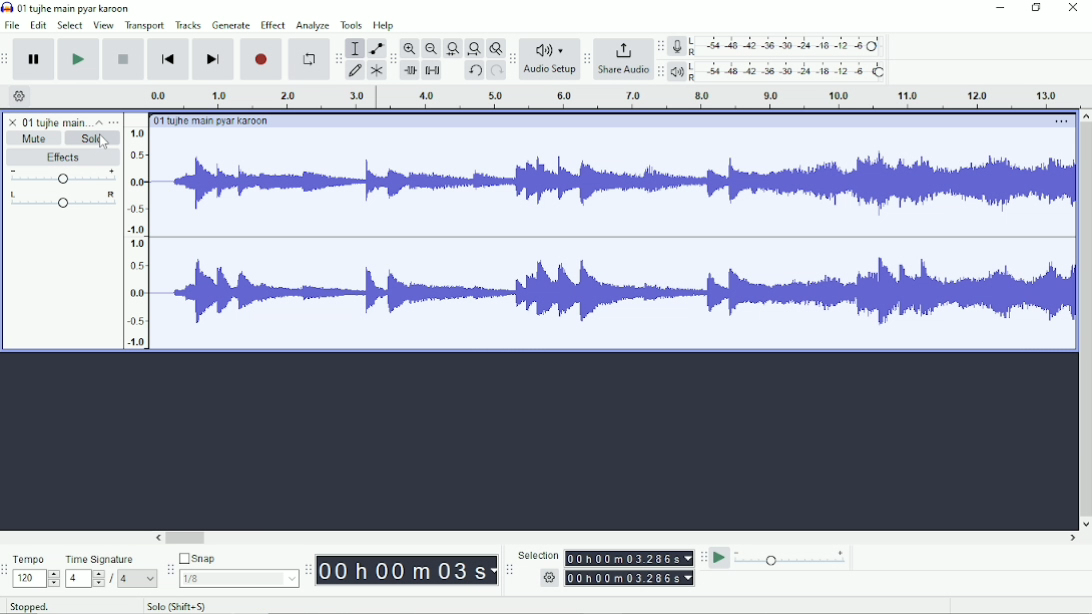 The height and width of the screenshot is (614, 1092). I want to click on , so click(139, 578).